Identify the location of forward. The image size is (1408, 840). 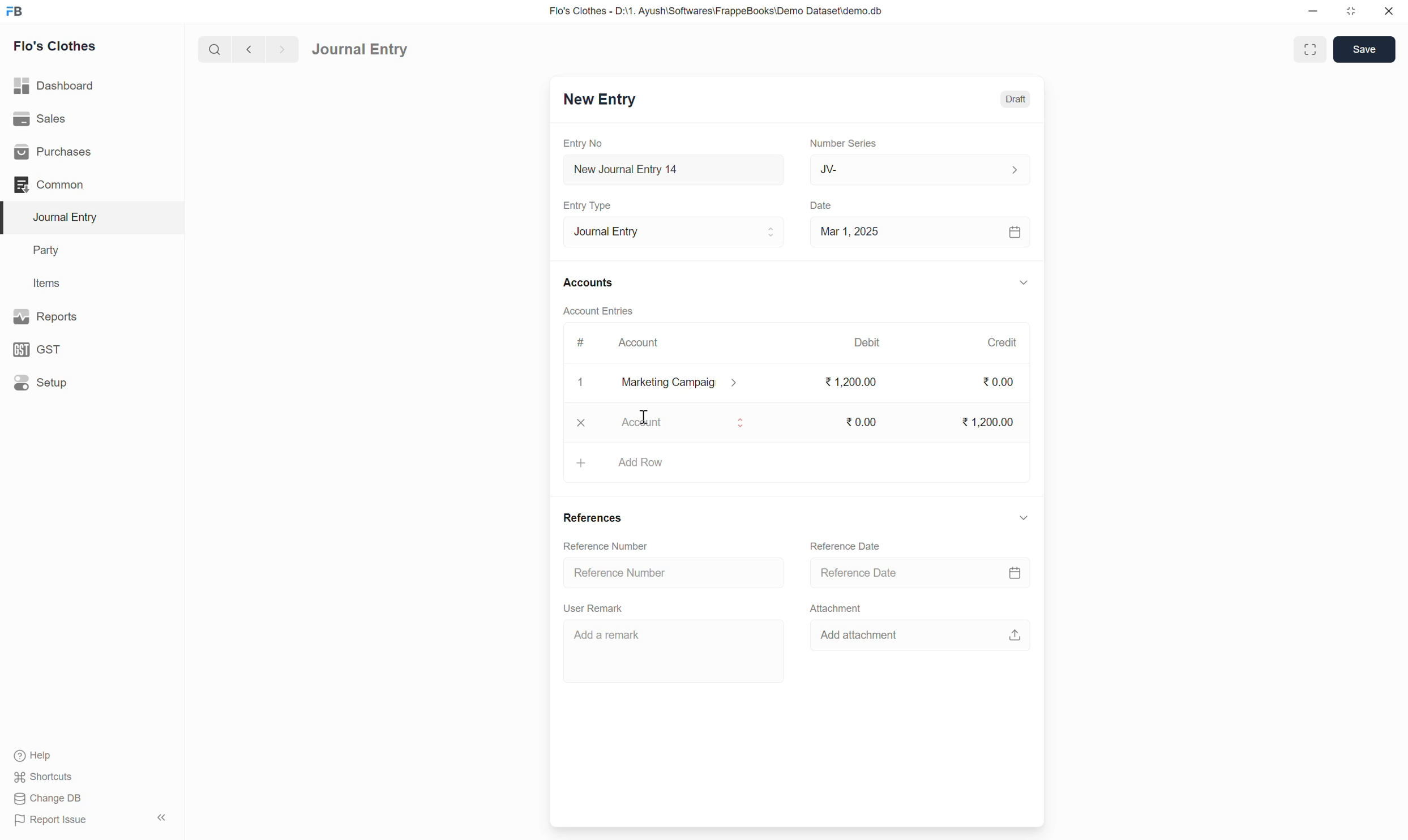
(280, 50).